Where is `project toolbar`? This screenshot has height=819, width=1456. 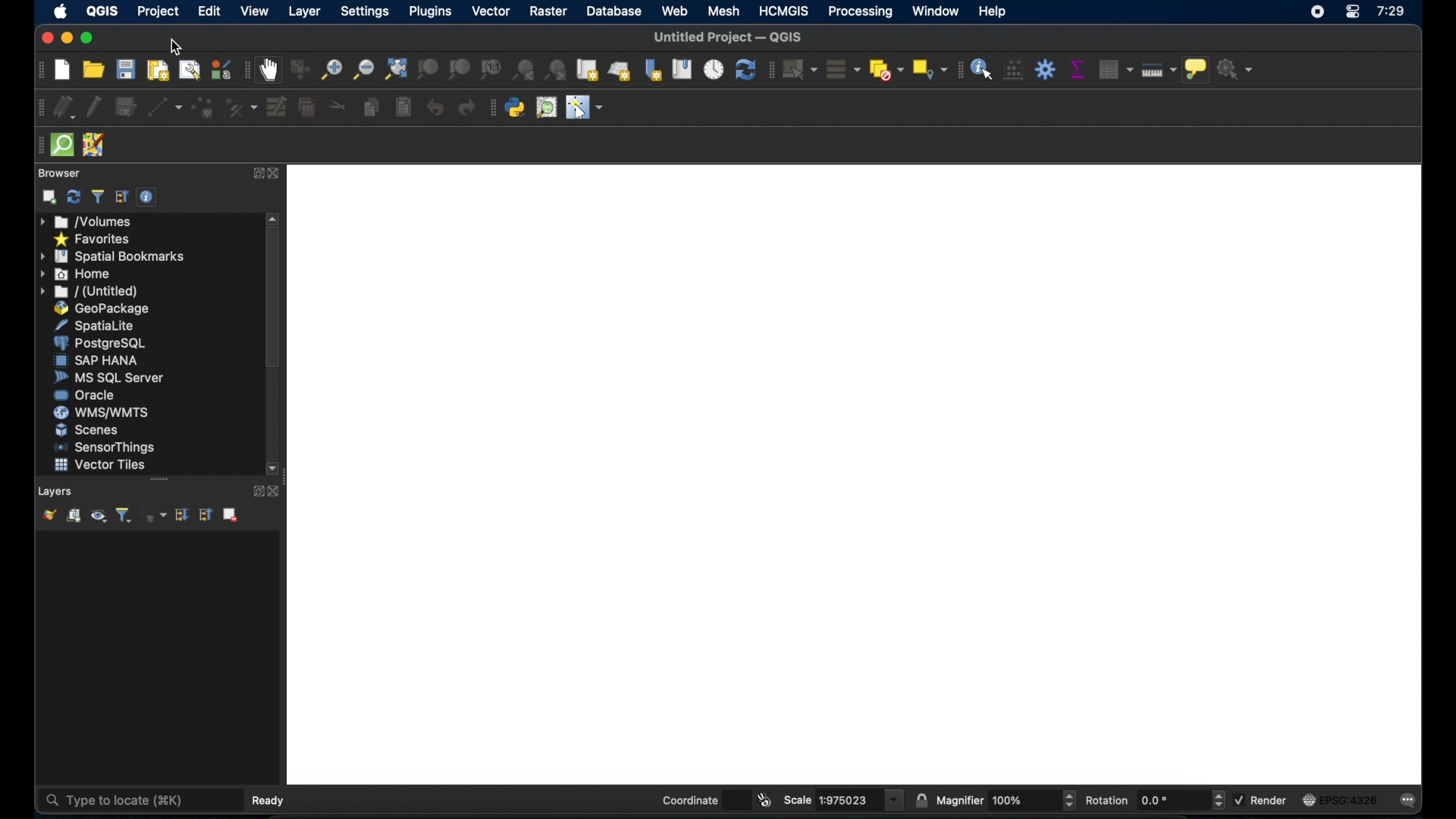 project toolbar is located at coordinates (39, 70).